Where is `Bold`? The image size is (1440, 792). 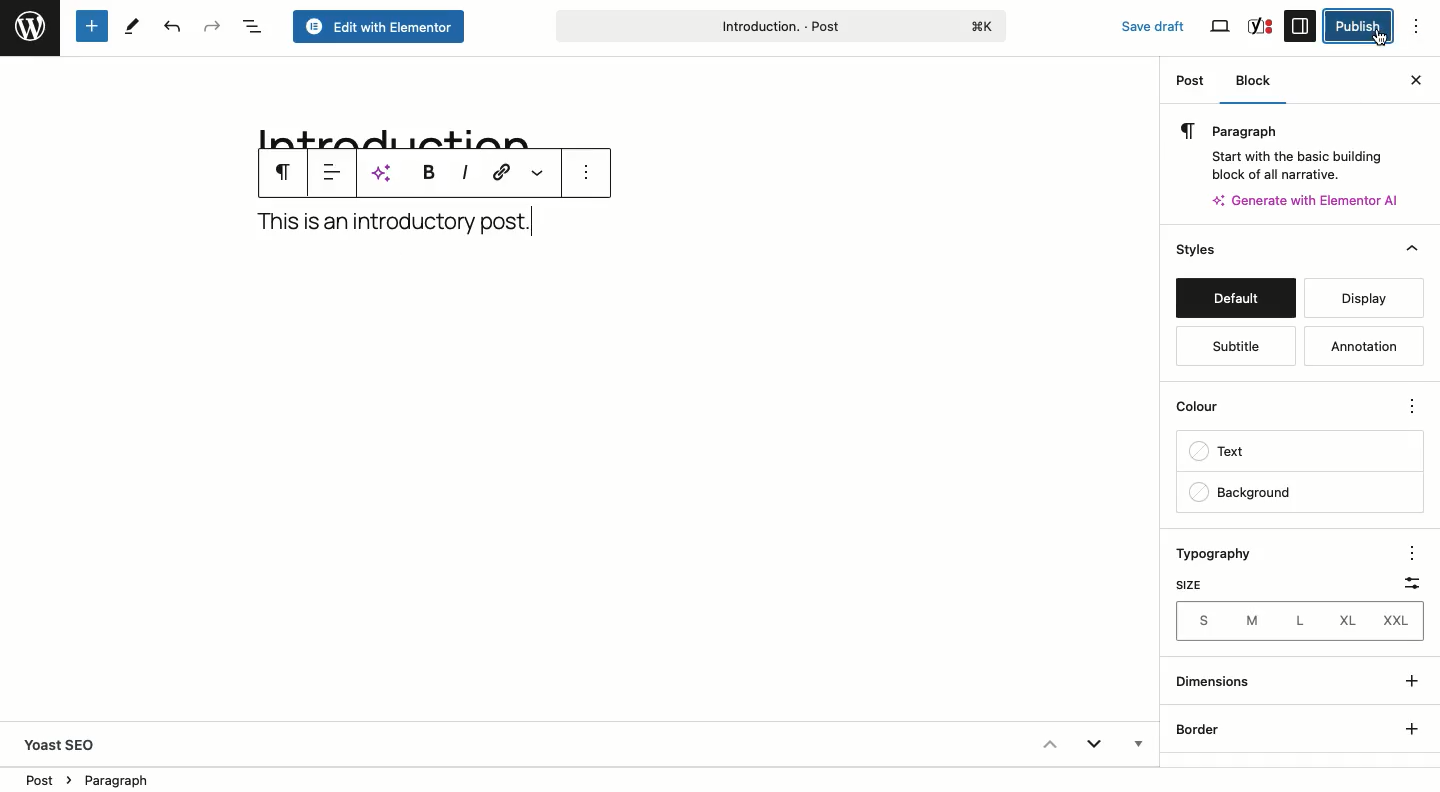 Bold is located at coordinates (428, 173).